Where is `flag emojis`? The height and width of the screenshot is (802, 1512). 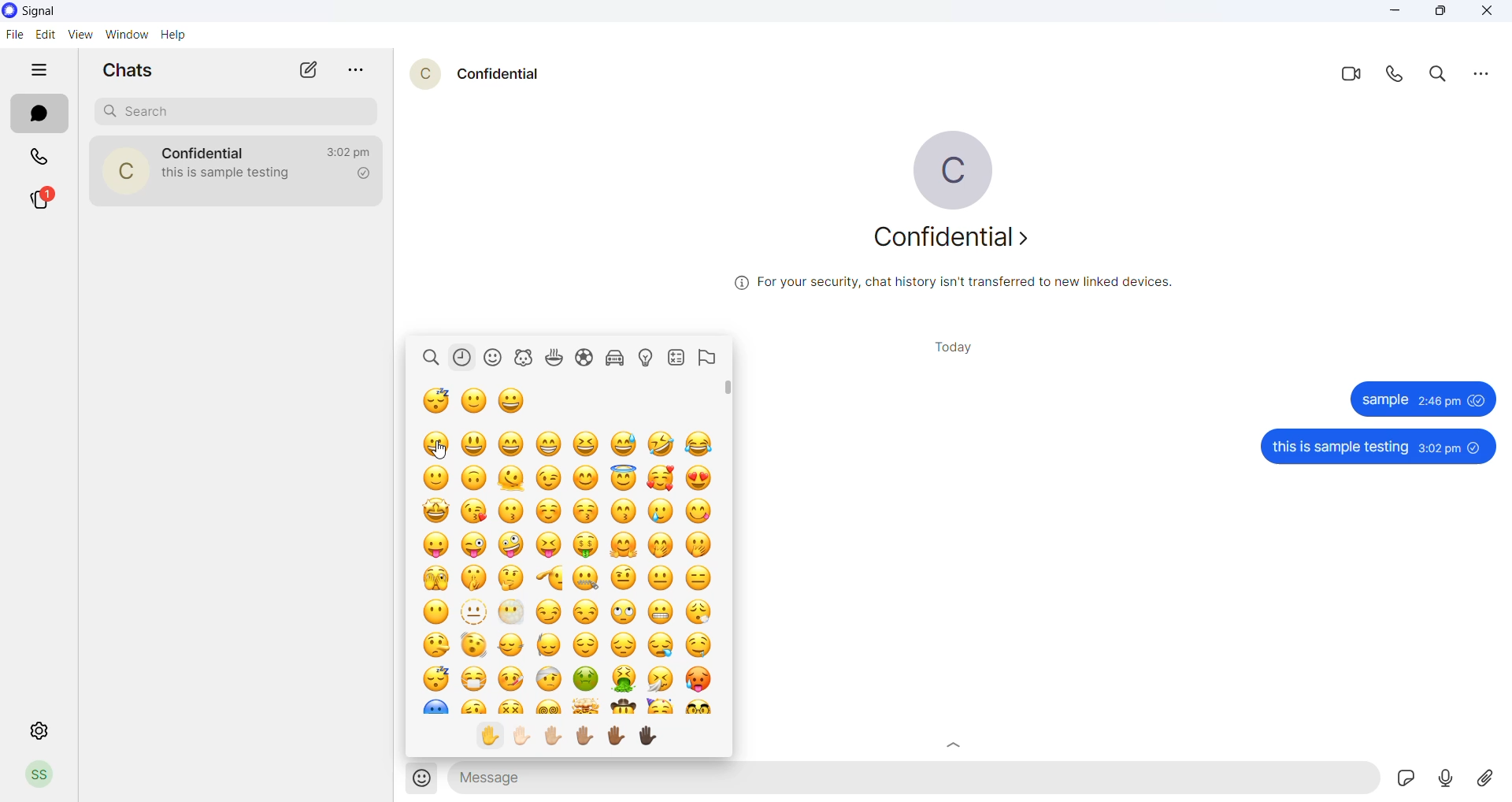
flag emojis is located at coordinates (706, 359).